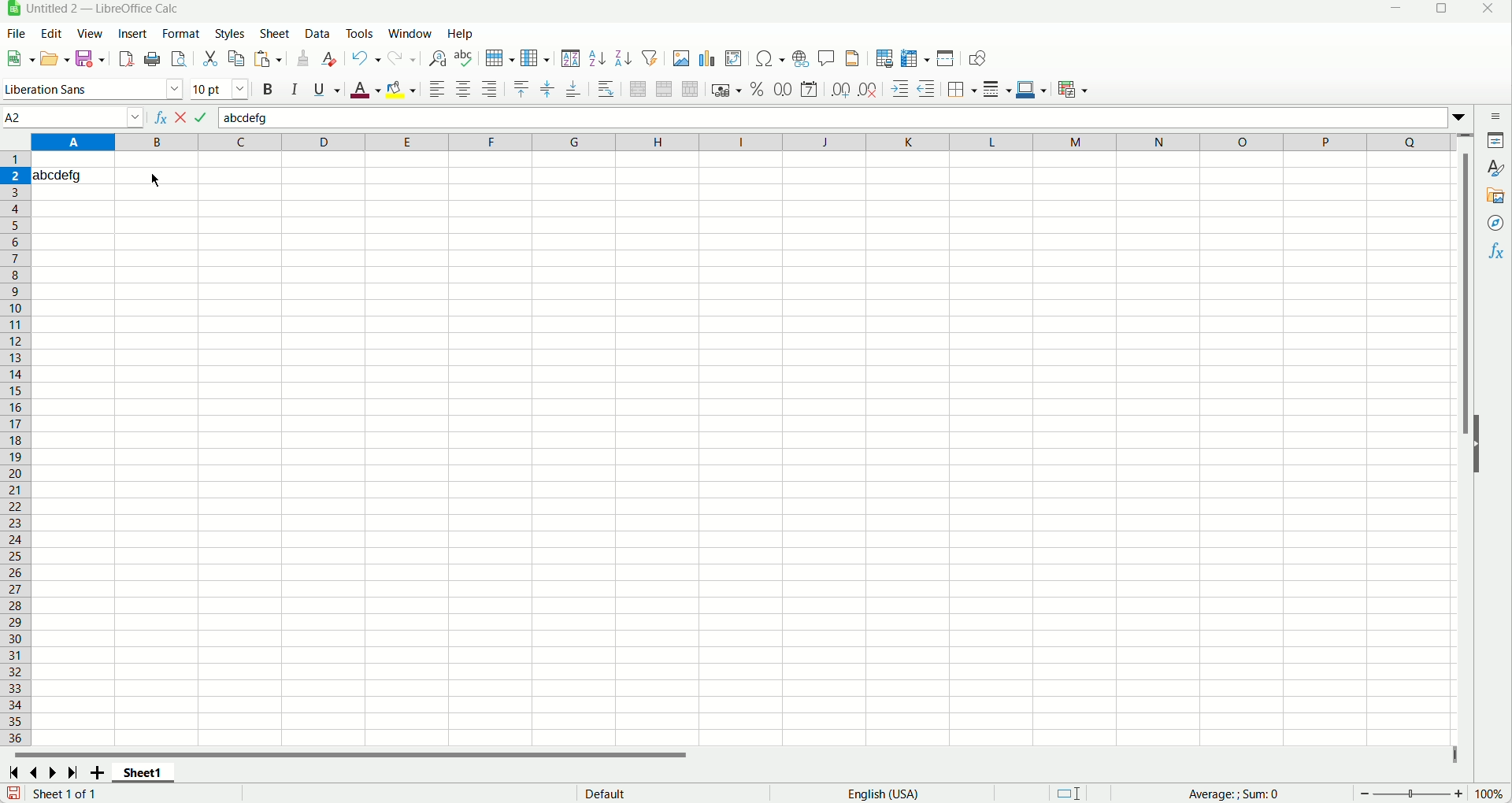 The image size is (1512, 803). What do you see at coordinates (999, 90) in the screenshot?
I see `border style` at bounding box center [999, 90].